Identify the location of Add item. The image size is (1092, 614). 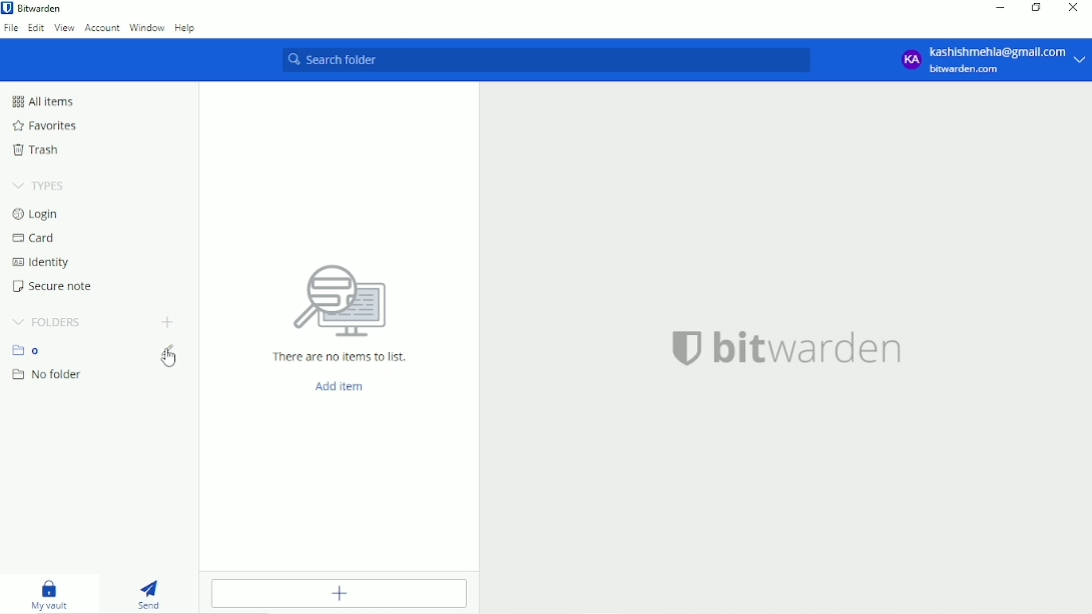
(340, 387).